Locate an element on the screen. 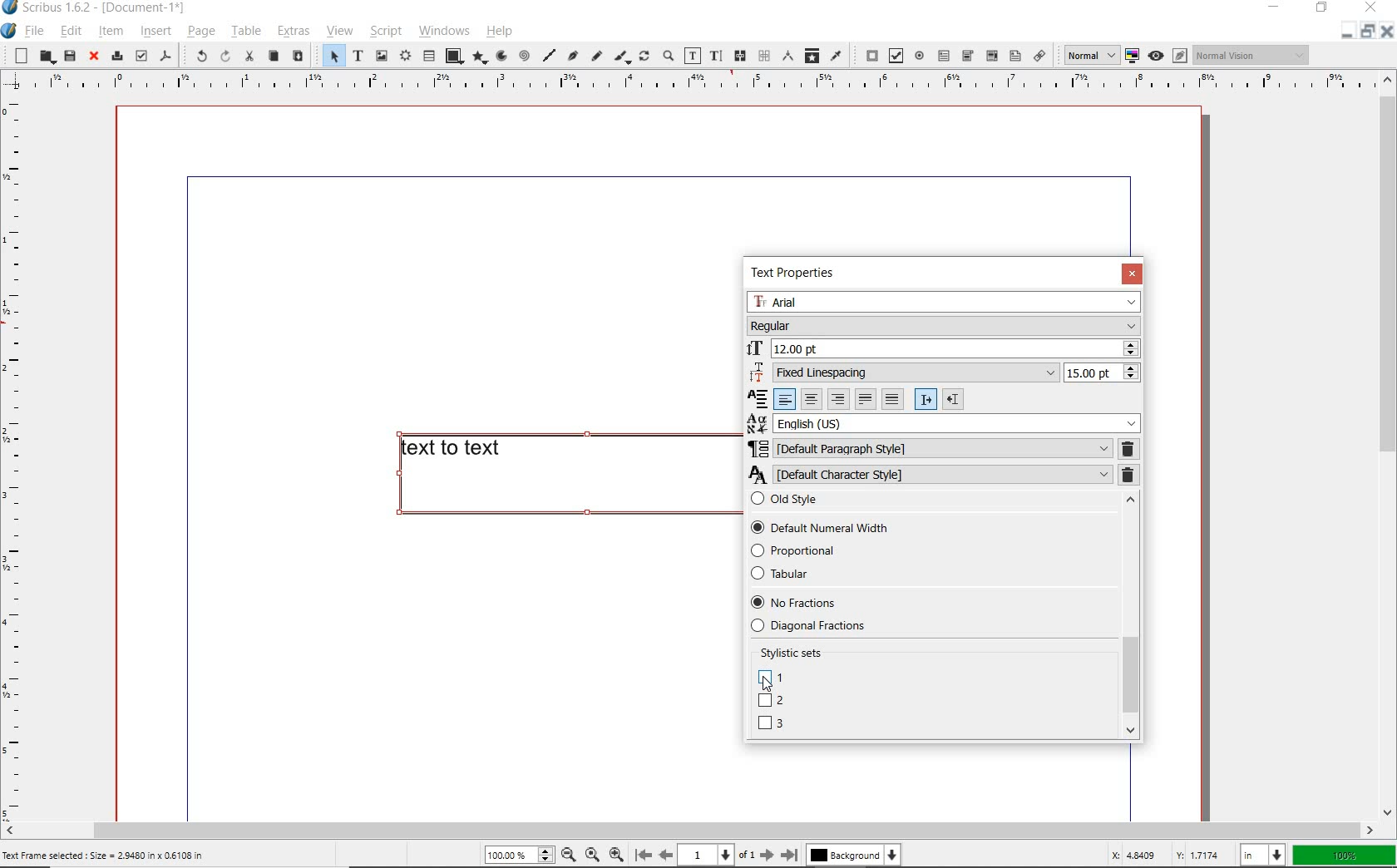 The width and height of the screenshot is (1397, 868). Old style is located at coordinates (930, 504).